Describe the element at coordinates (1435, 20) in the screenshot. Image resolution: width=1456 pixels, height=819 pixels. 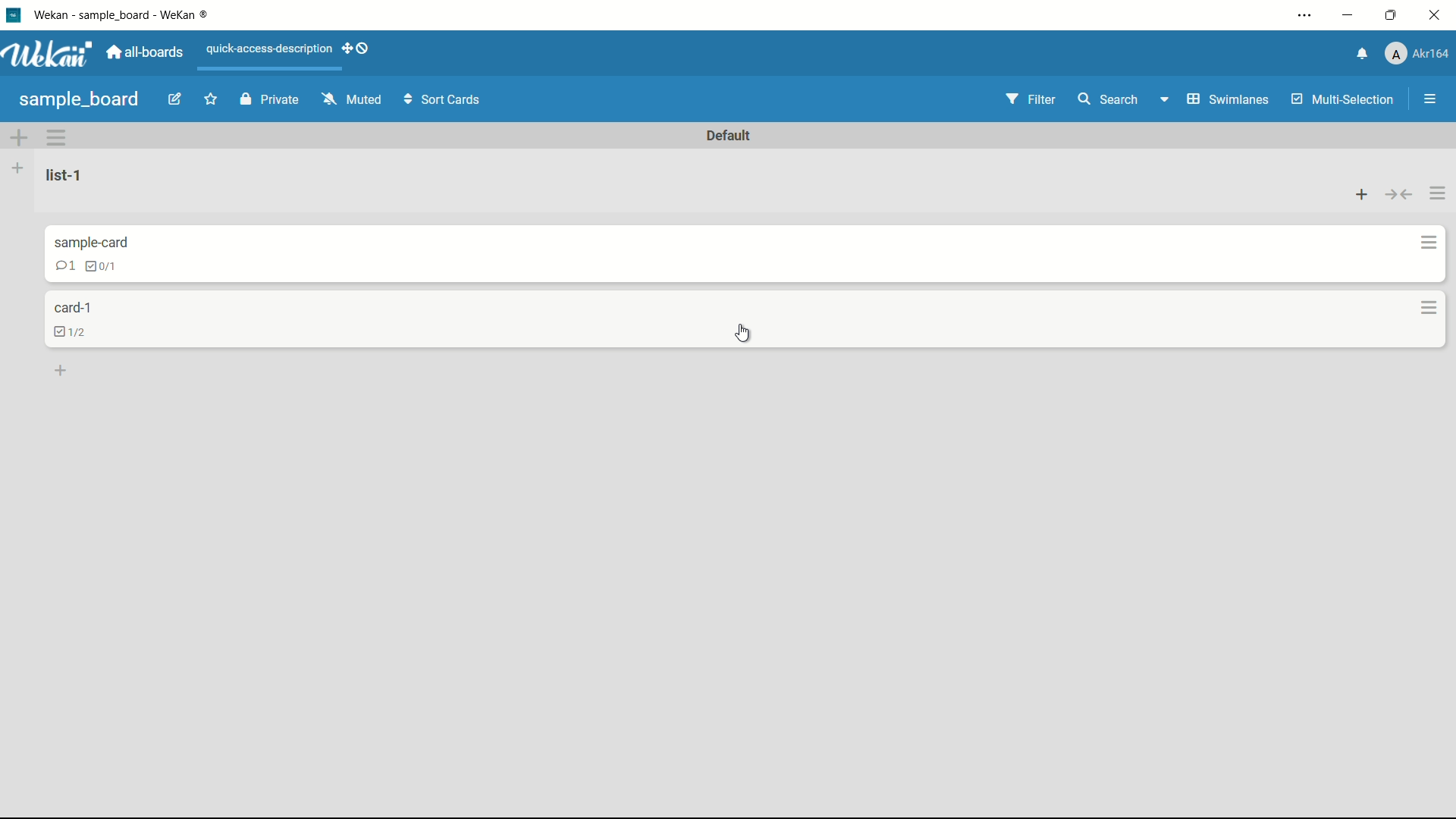
I see `close` at that location.